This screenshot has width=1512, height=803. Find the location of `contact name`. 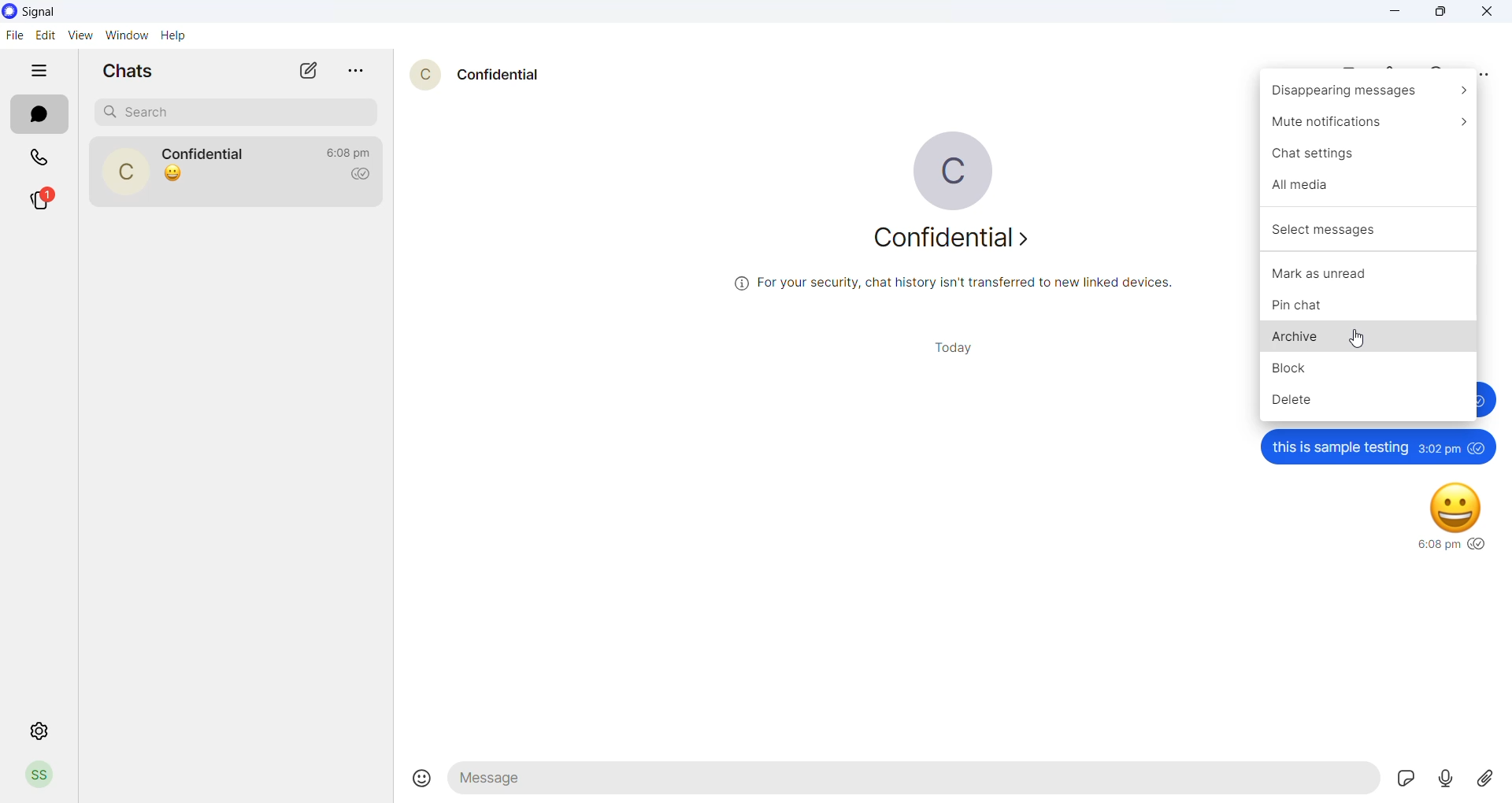

contact name is located at coordinates (499, 74).